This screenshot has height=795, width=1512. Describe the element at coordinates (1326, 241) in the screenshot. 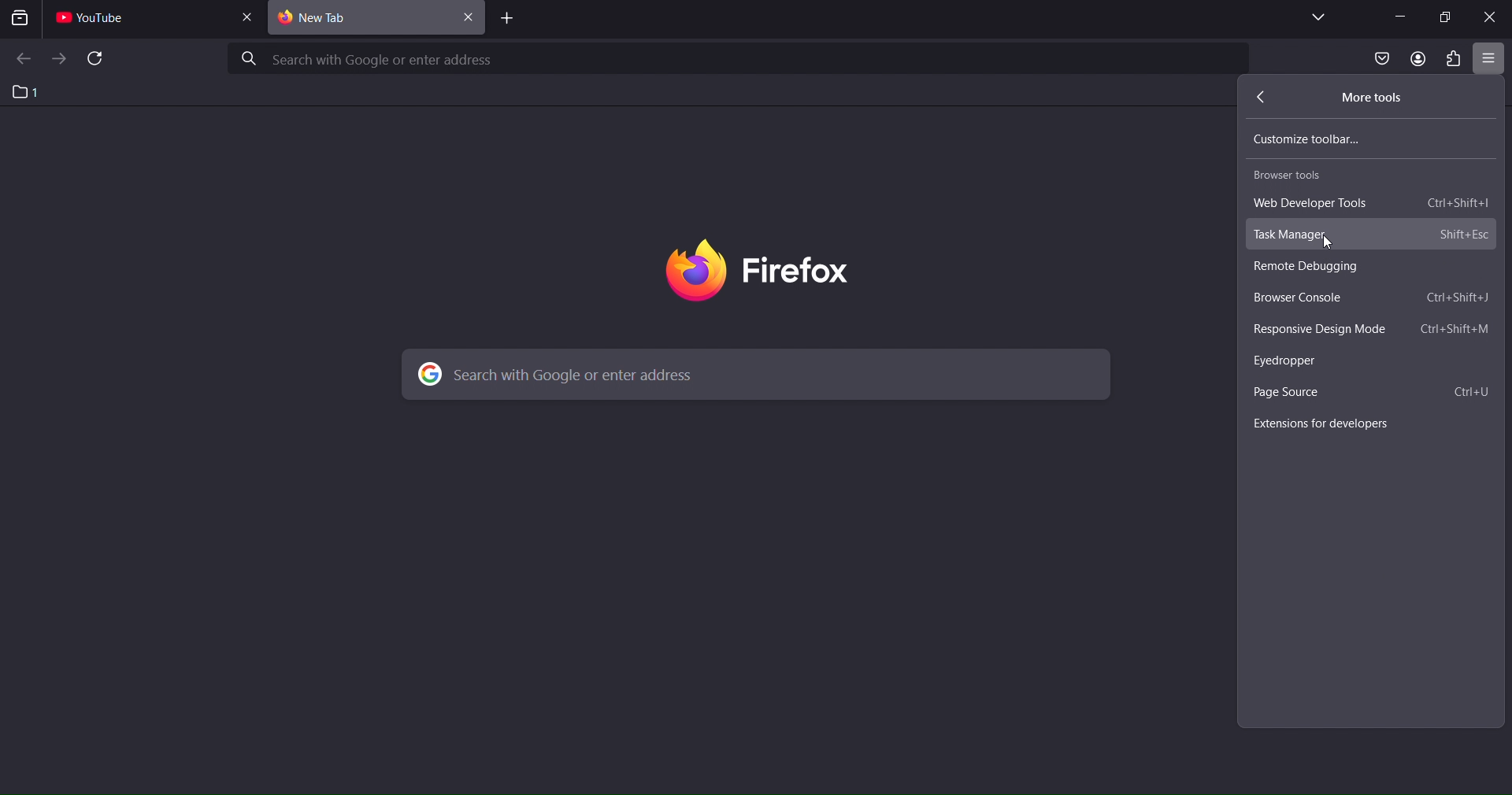

I see `cursor` at that location.